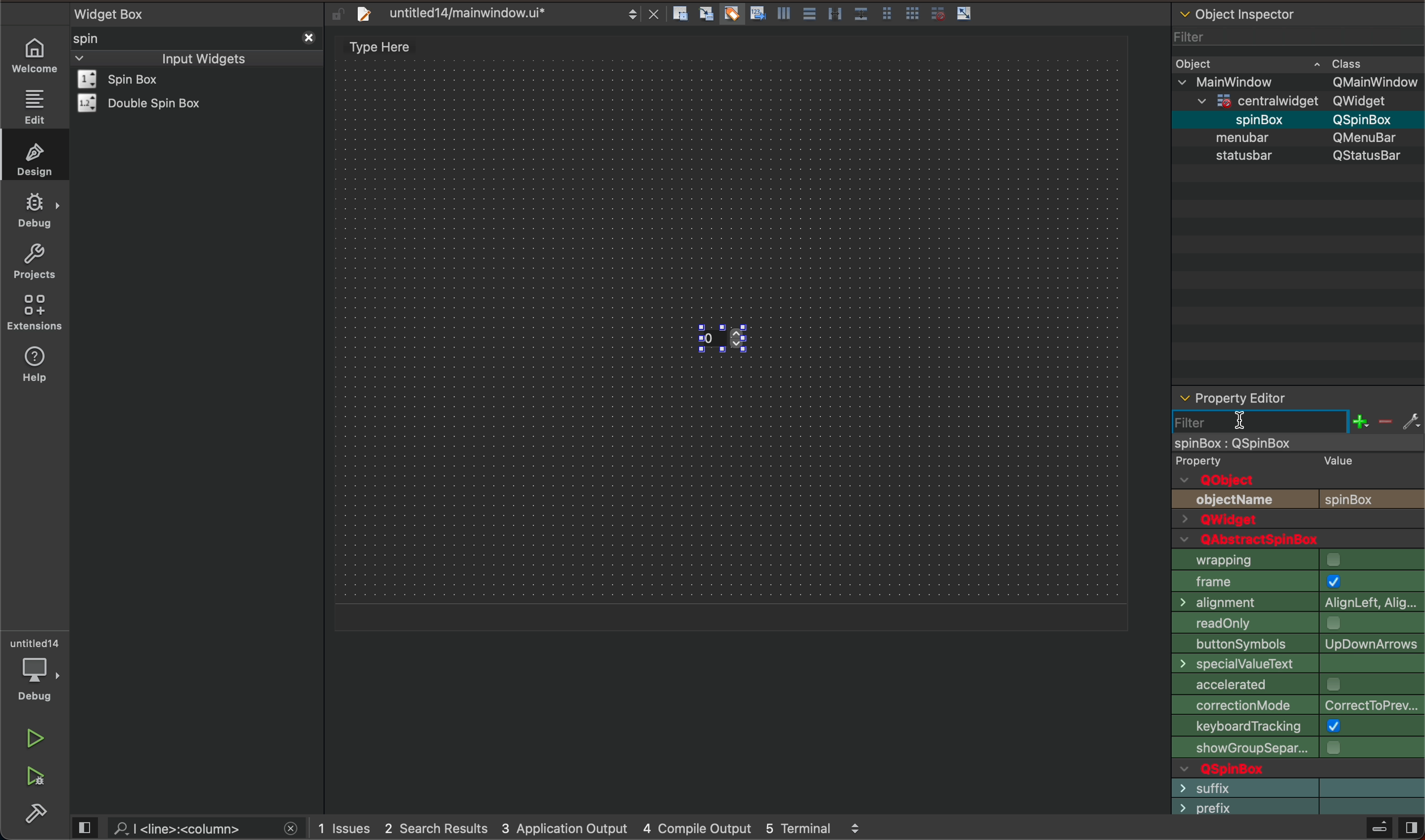 This screenshot has height=840, width=1425. What do you see at coordinates (1237, 786) in the screenshot?
I see `text` at bounding box center [1237, 786].